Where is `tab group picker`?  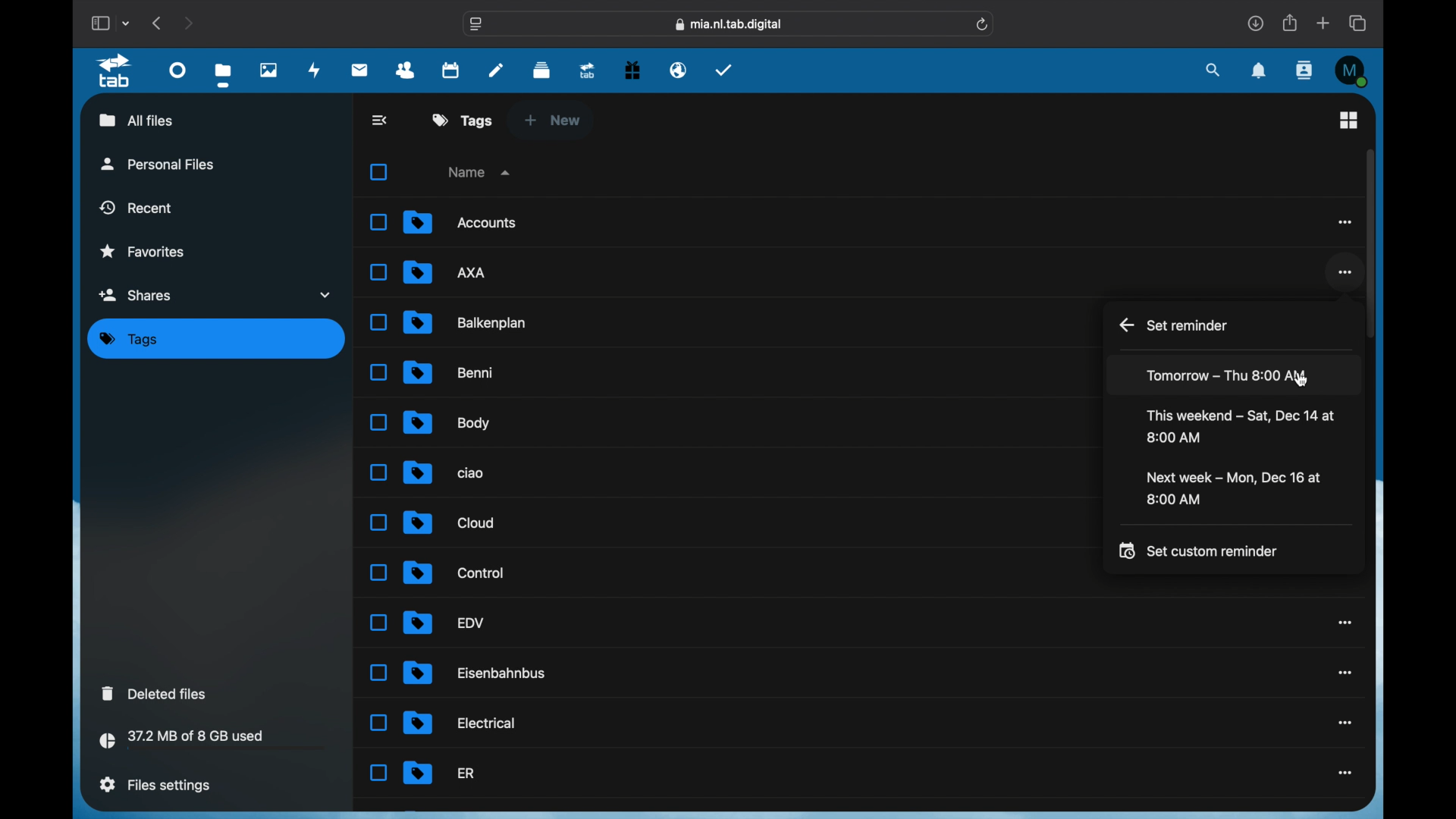 tab group picker is located at coordinates (126, 23).